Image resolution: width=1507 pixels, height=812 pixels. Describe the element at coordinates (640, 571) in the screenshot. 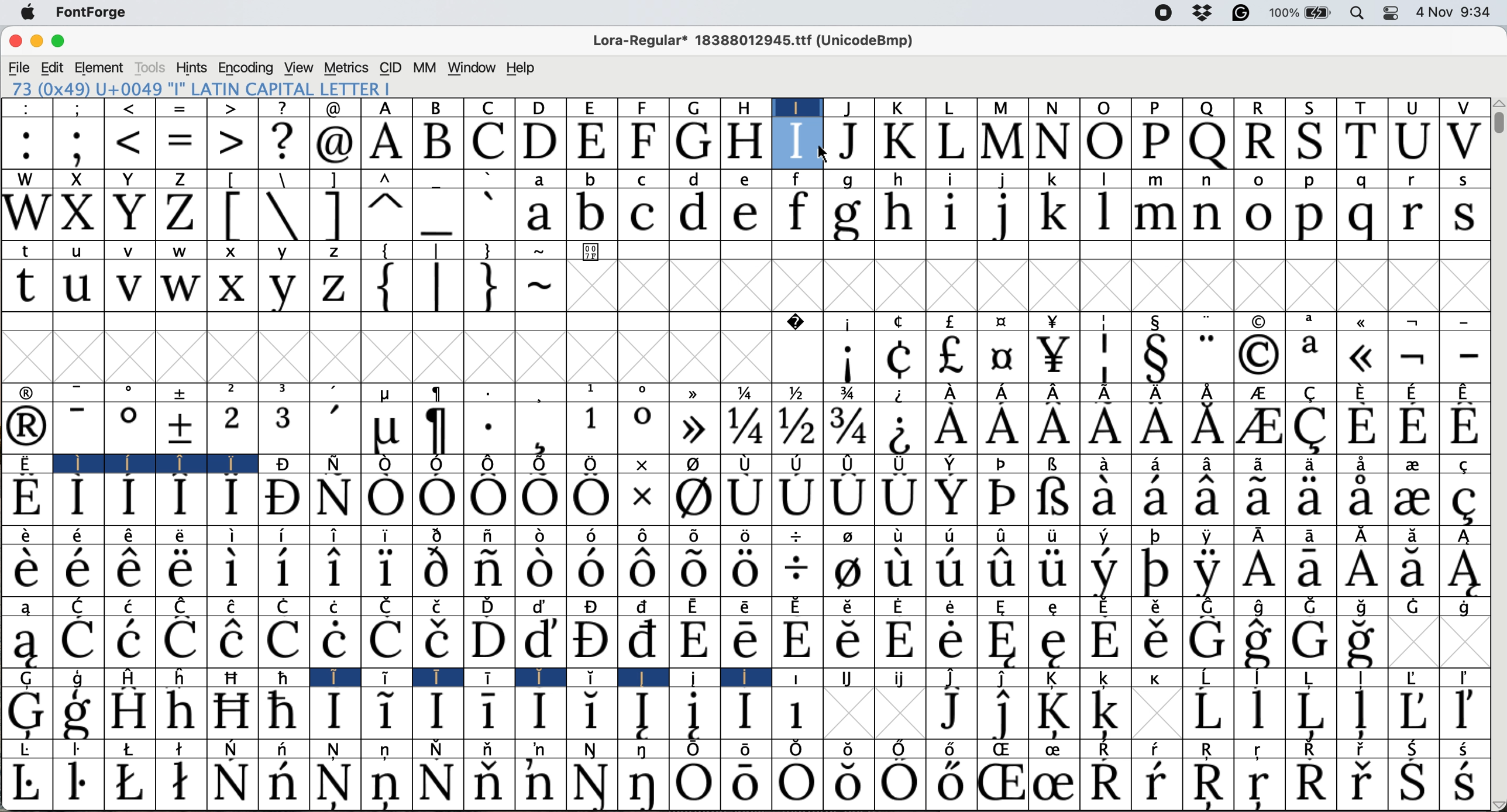

I see `Symbol` at that location.